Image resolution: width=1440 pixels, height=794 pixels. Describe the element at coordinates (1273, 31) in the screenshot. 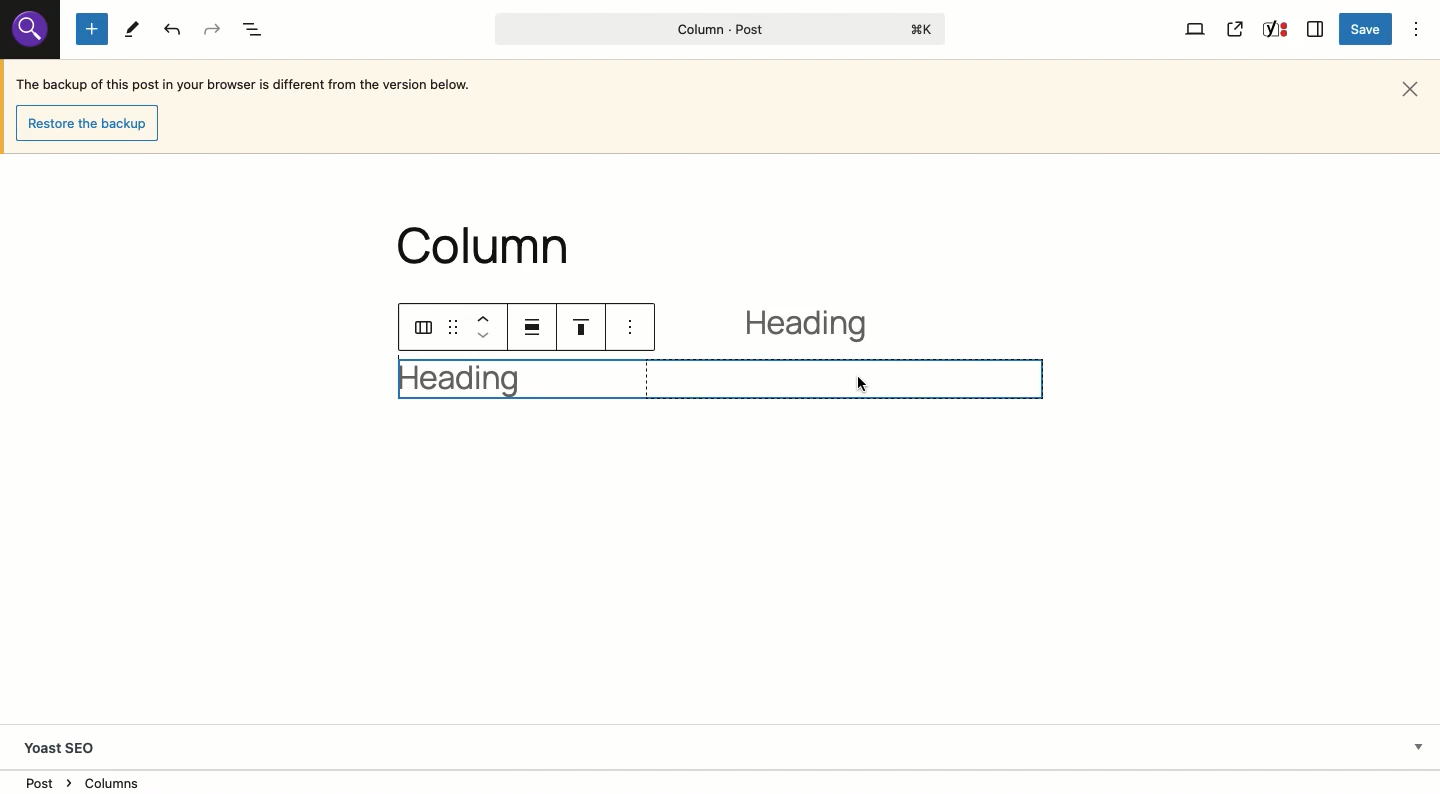

I see `Yoast` at that location.